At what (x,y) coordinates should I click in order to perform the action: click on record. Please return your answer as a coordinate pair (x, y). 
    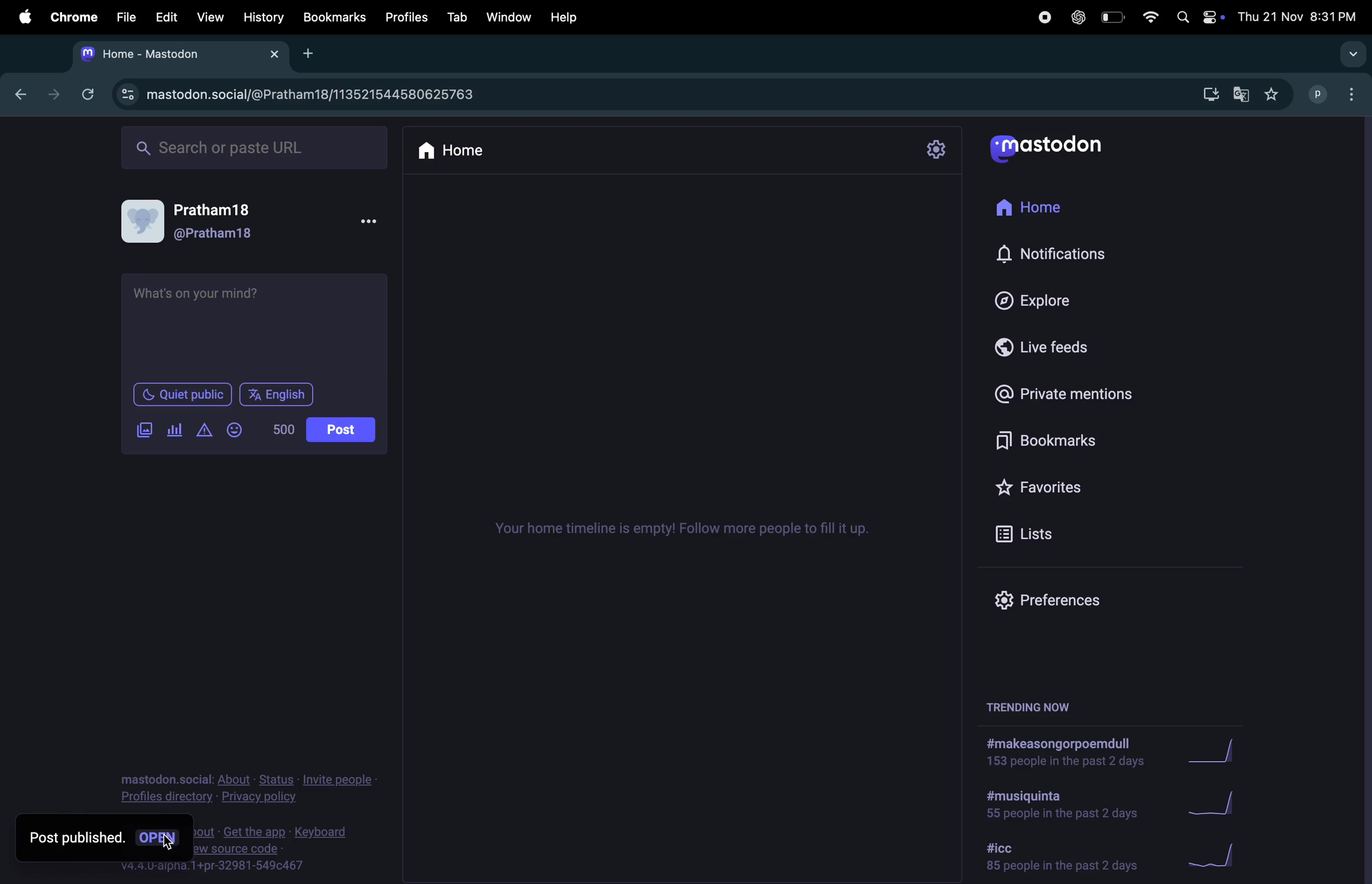
    Looking at the image, I should click on (1040, 15).